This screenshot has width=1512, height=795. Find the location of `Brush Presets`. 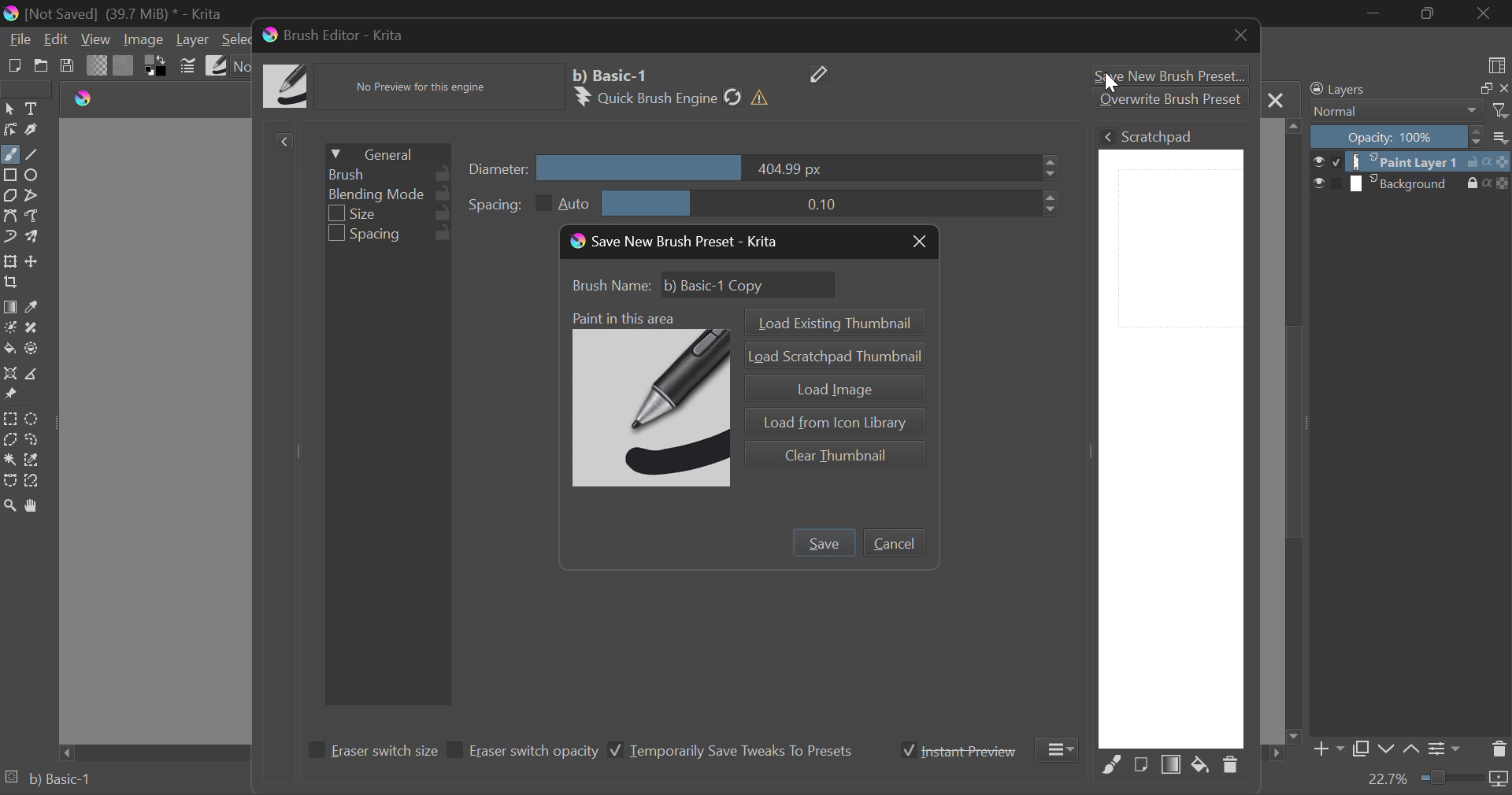

Brush Presets is located at coordinates (217, 66).